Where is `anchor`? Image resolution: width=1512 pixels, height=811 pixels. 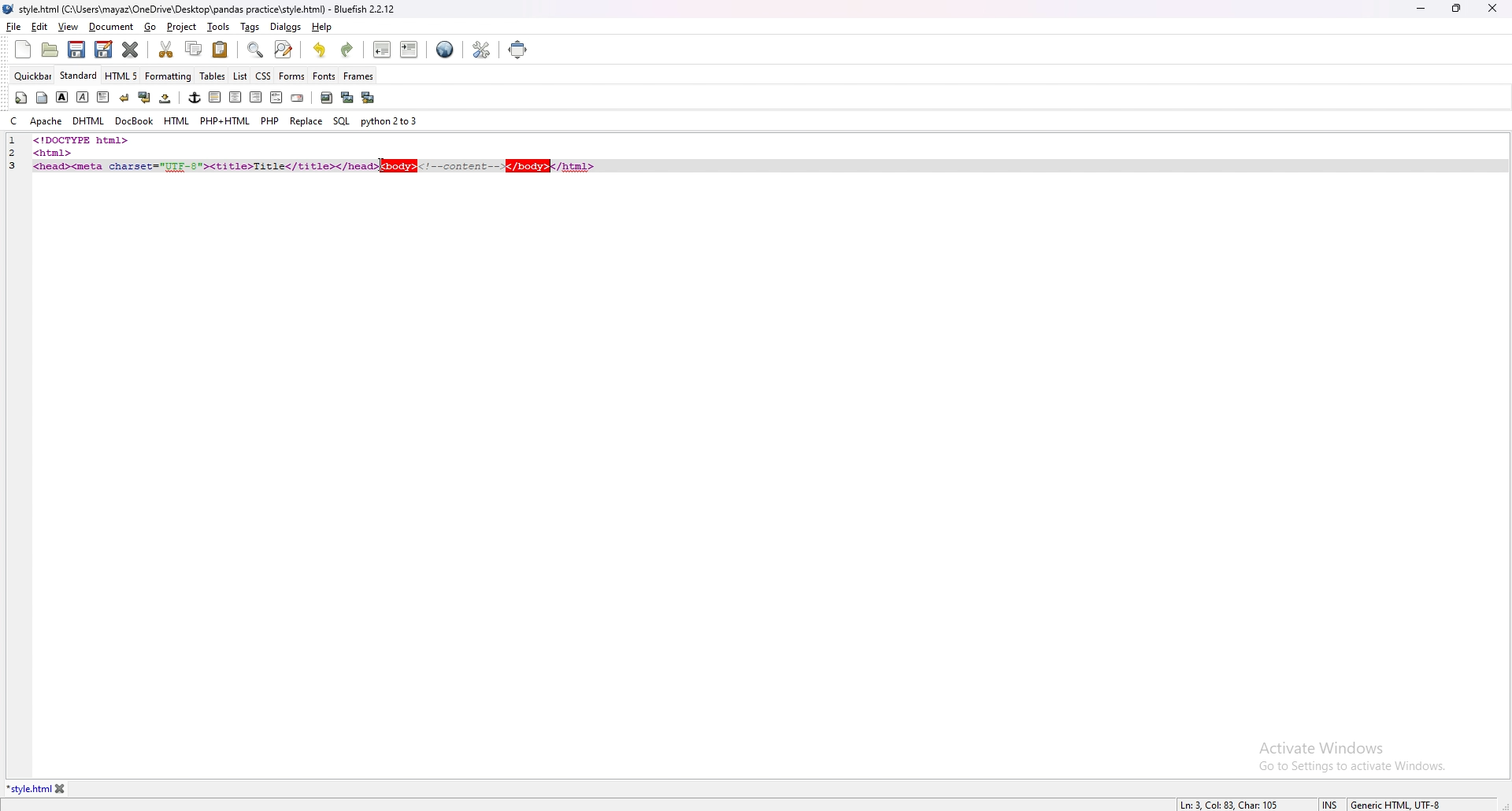
anchor is located at coordinates (195, 98).